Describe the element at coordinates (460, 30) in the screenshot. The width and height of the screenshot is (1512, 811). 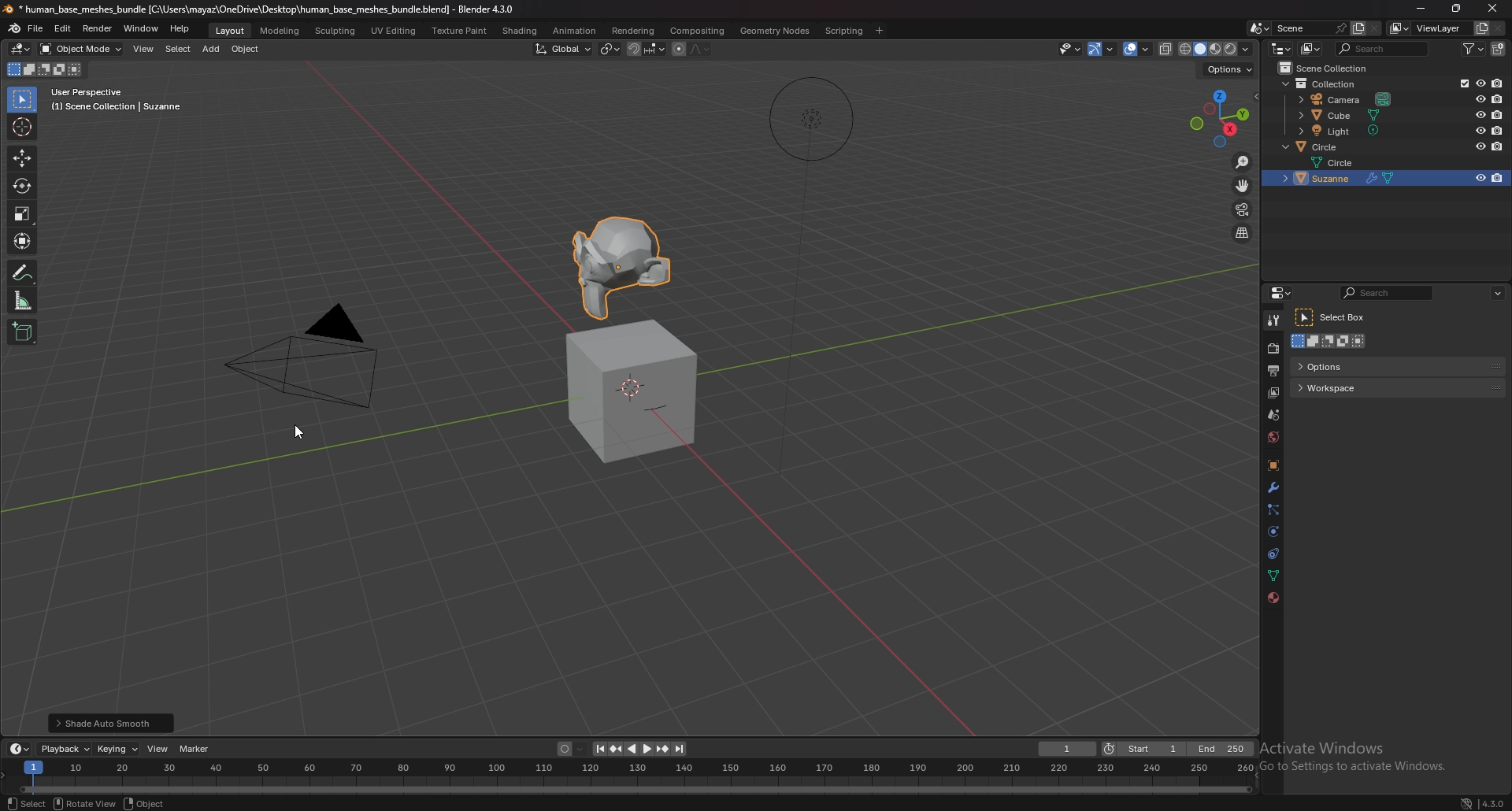
I see `texture paint` at that location.